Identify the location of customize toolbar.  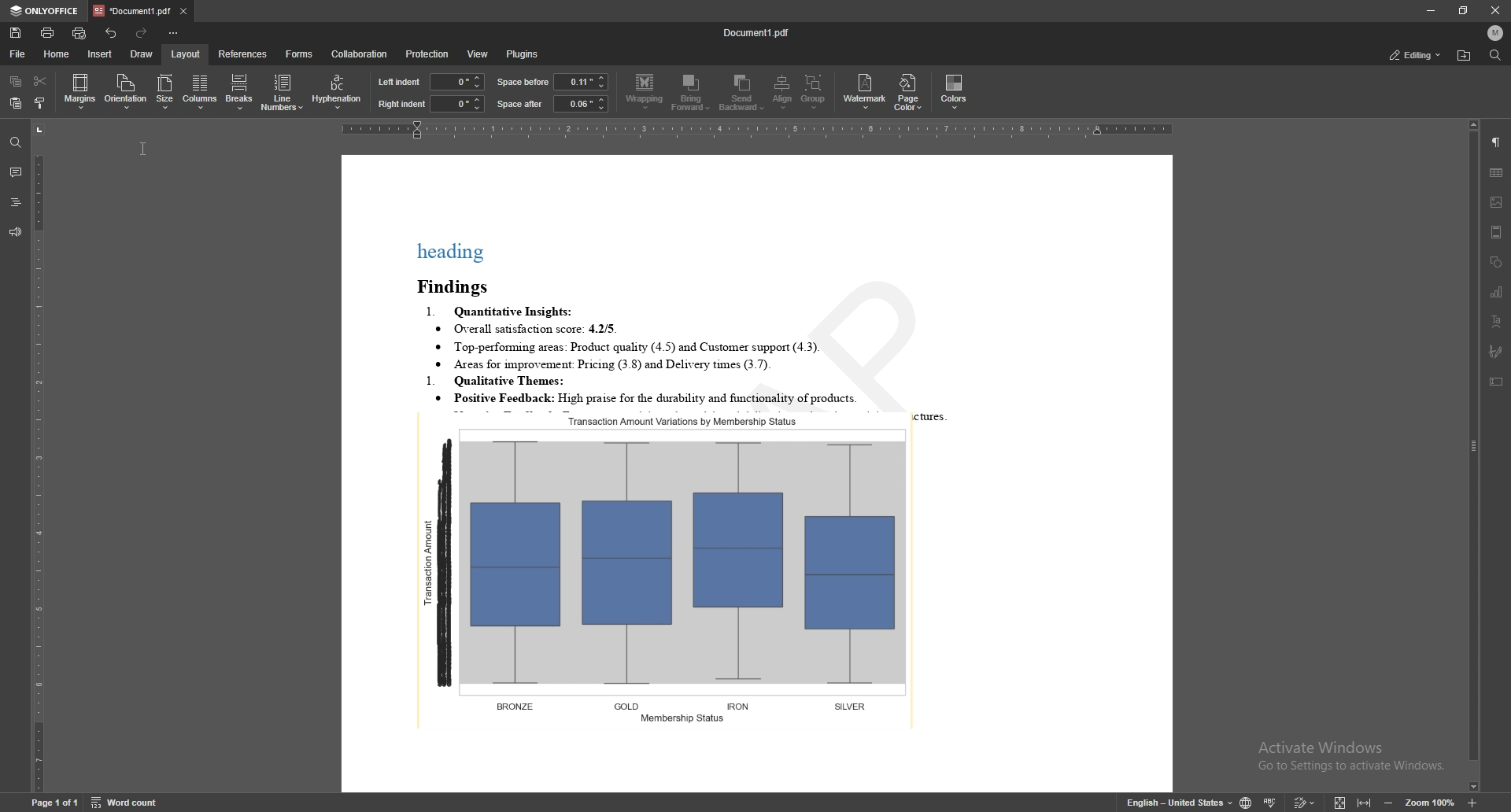
(172, 32).